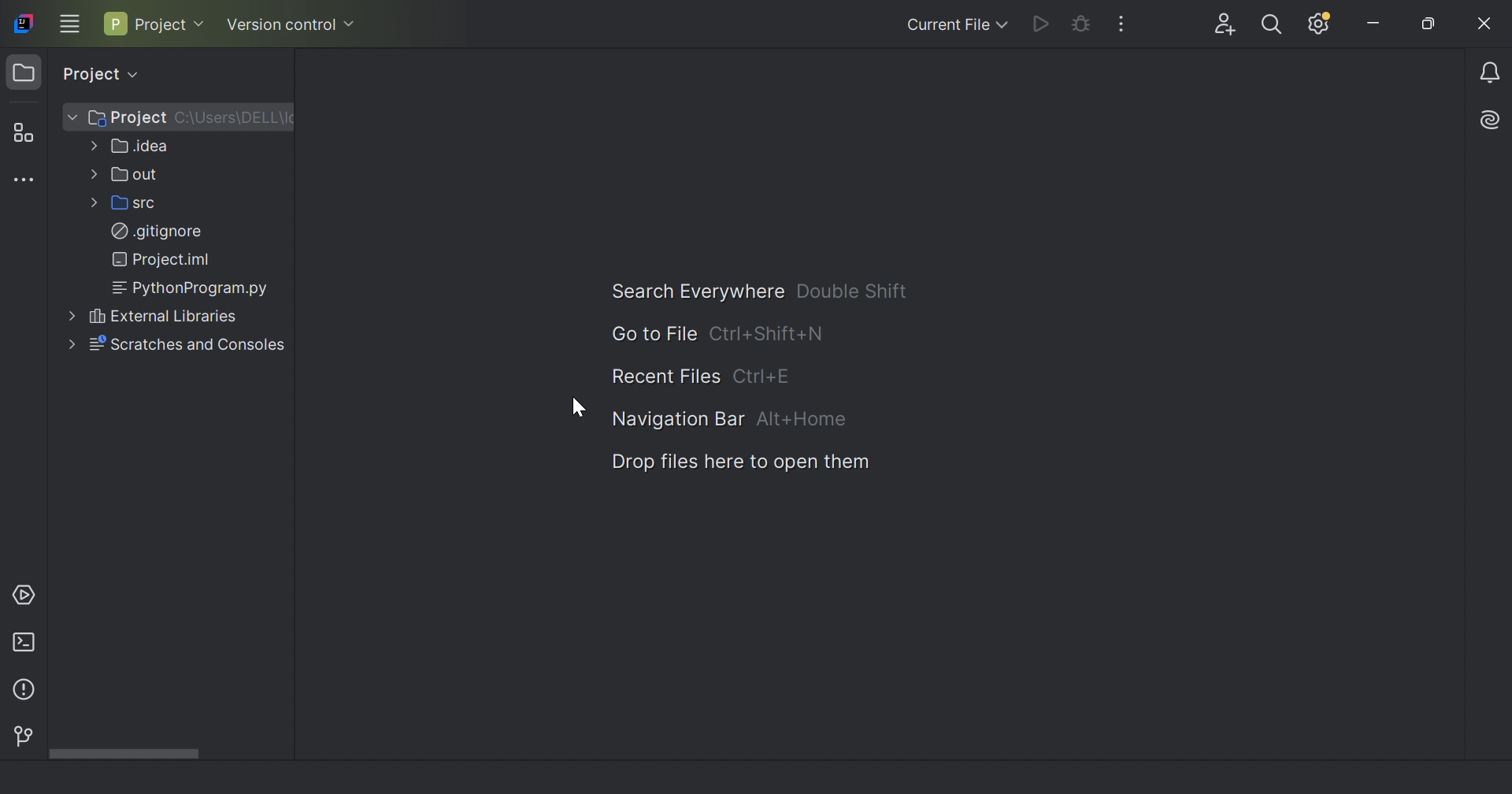  Describe the element at coordinates (1426, 25) in the screenshot. I see `Restore down` at that location.